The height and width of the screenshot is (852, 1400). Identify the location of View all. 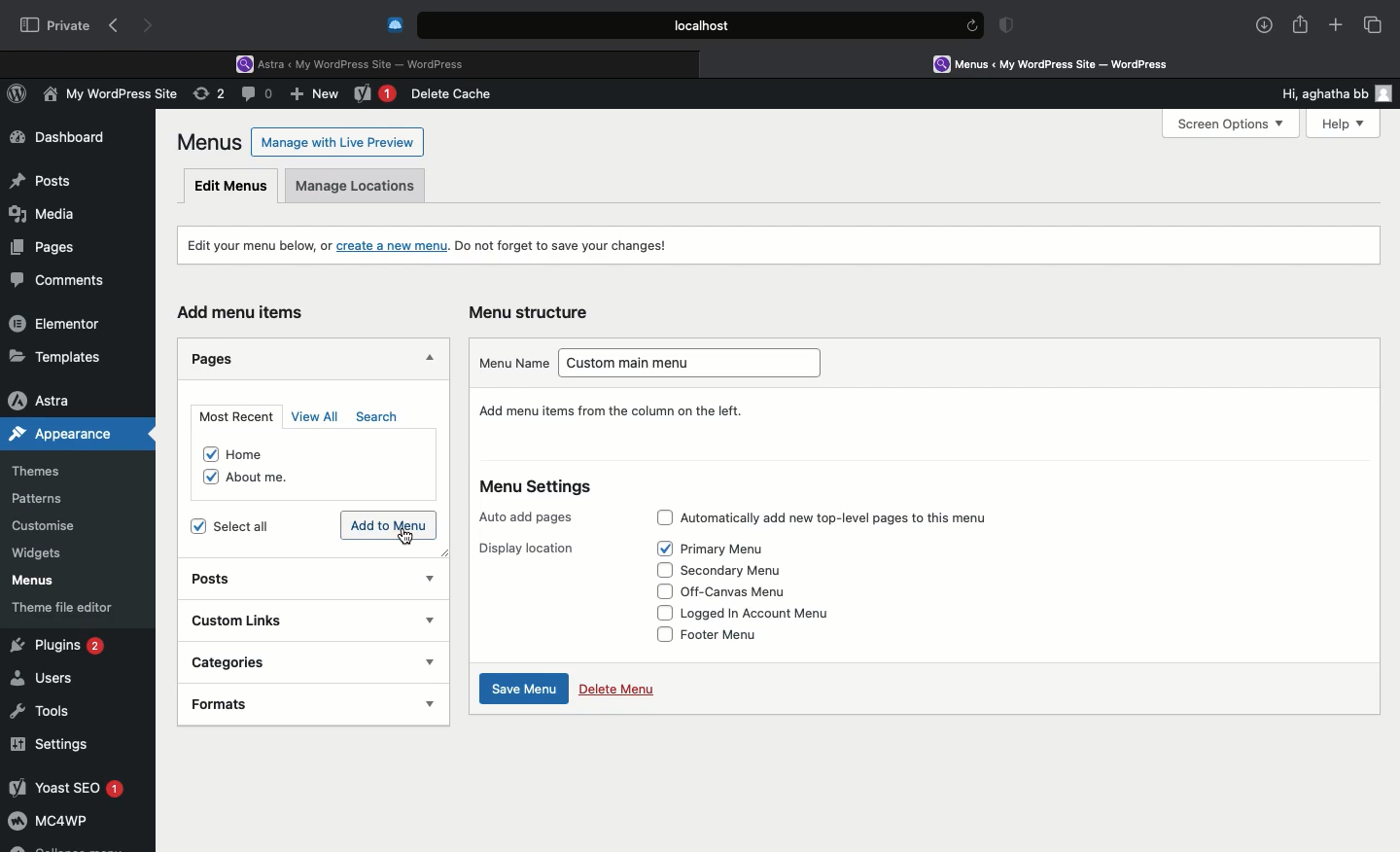
(317, 416).